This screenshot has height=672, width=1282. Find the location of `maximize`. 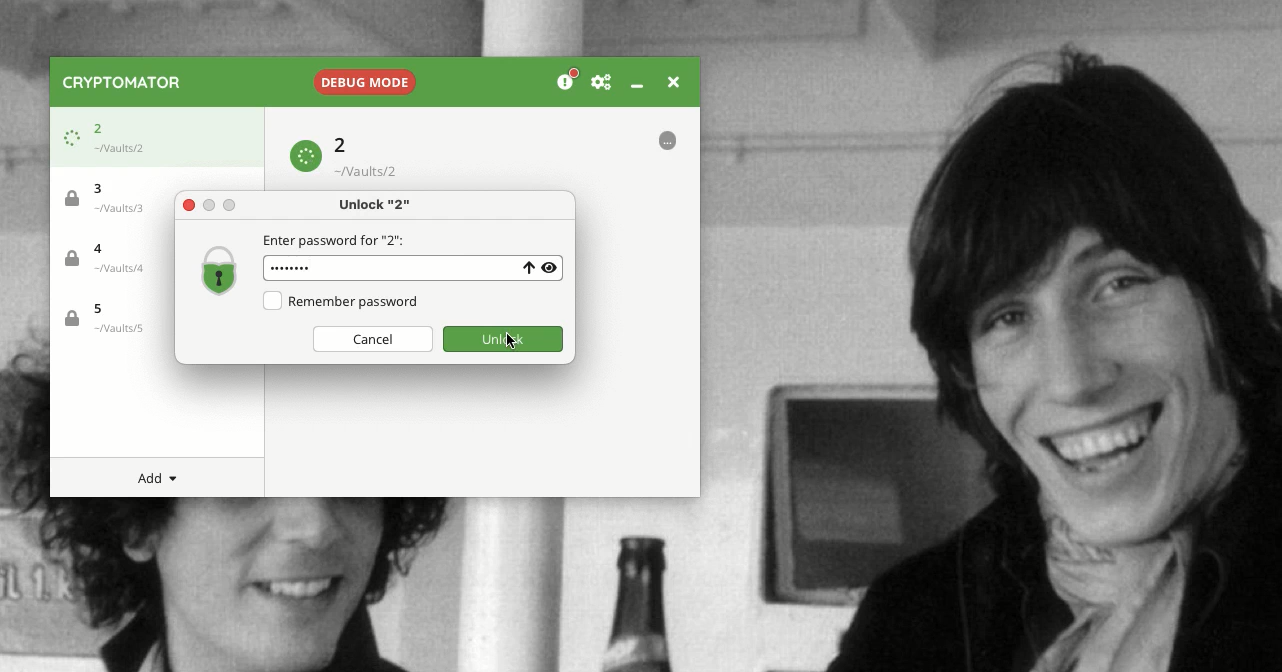

maximize is located at coordinates (232, 205).